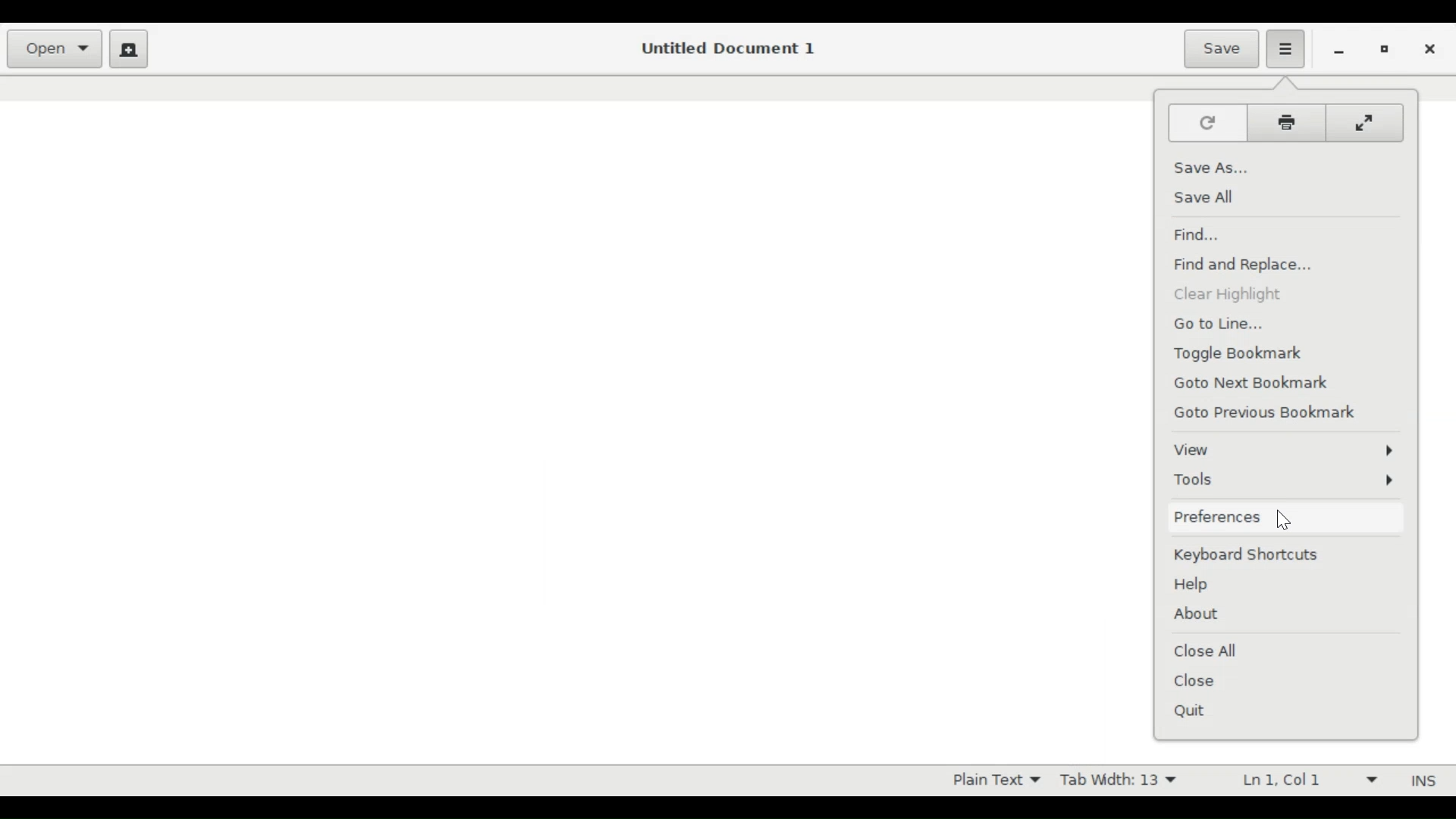  What do you see at coordinates (1284, 450) in the screenshot?
I see `View` at bounding box center [1284, 450].